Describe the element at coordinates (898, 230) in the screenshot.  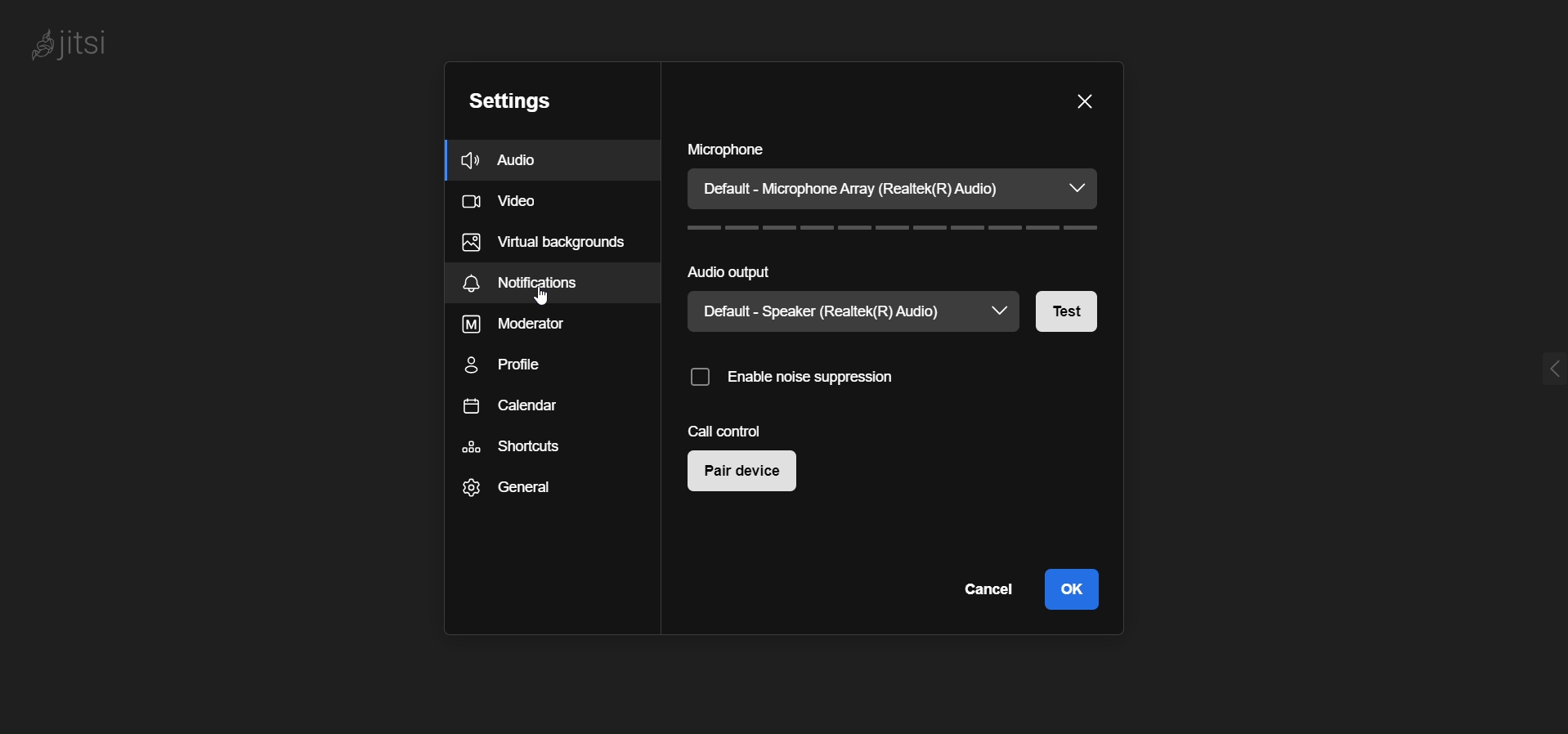
I see `volume` at that location.